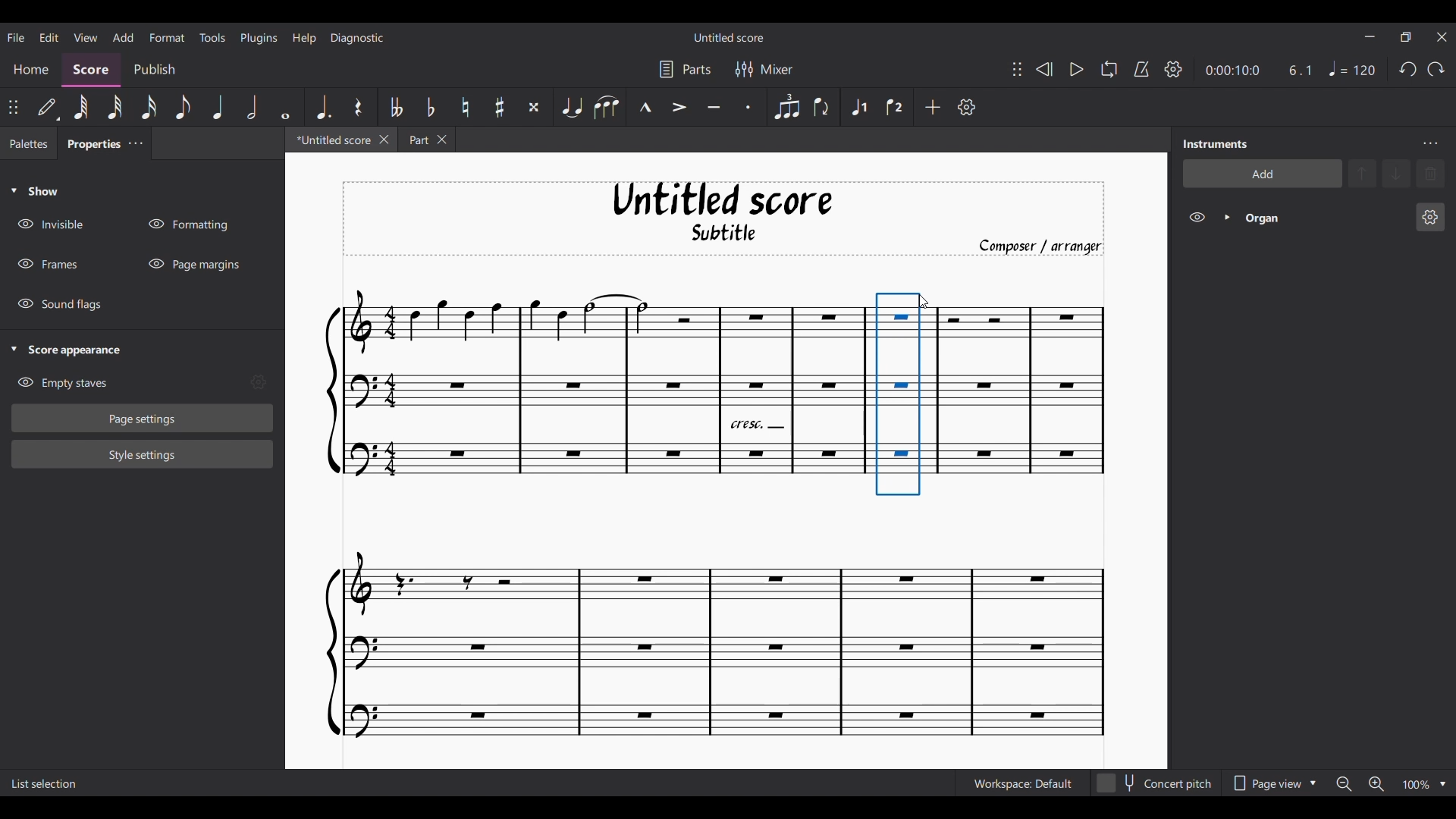  What do you see at coordinates (1396, 173) in the screenshot?
I see `Move selection down` at bounding box center [1396, 173].